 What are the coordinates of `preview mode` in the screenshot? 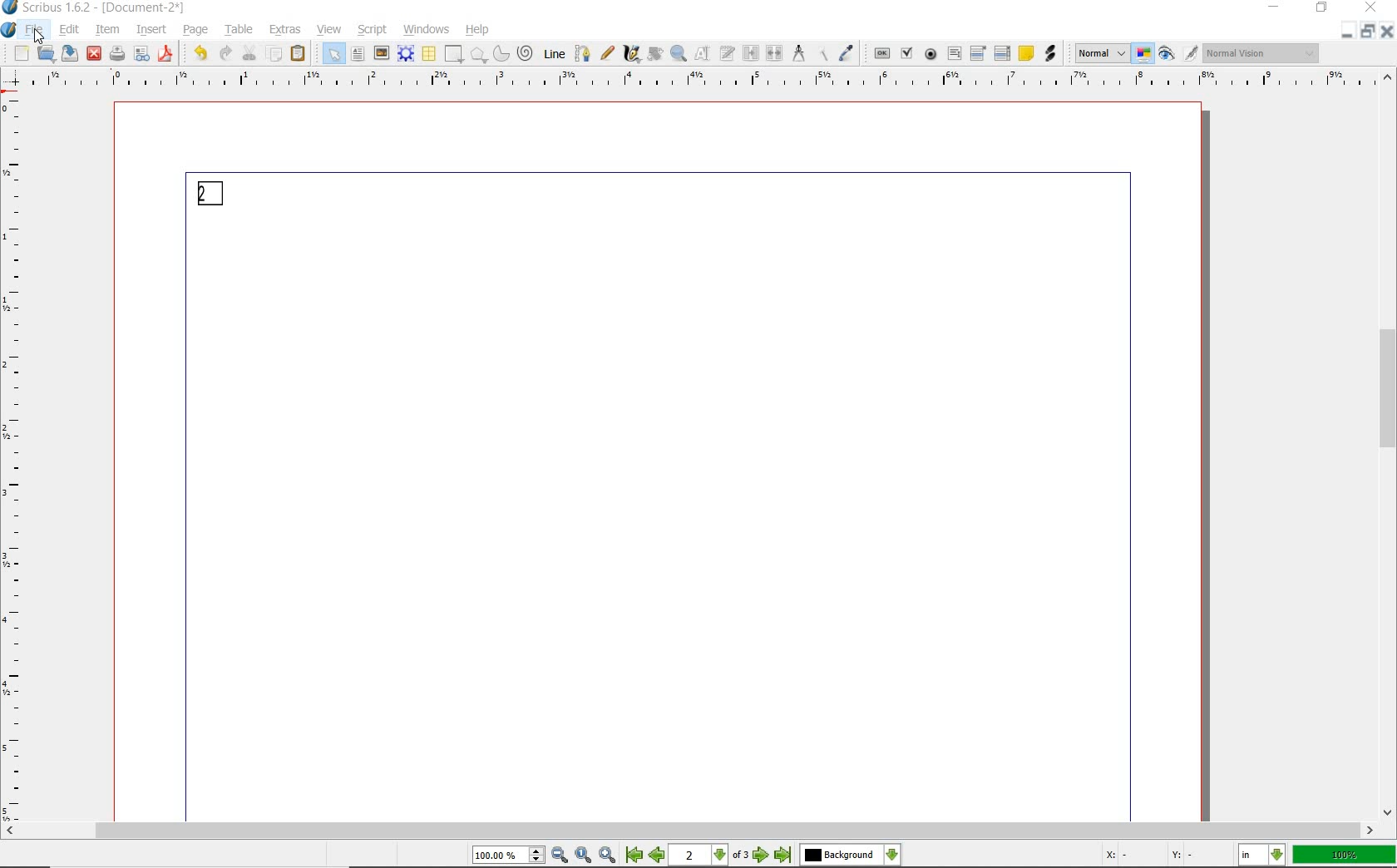 It's located at (1167, 55).